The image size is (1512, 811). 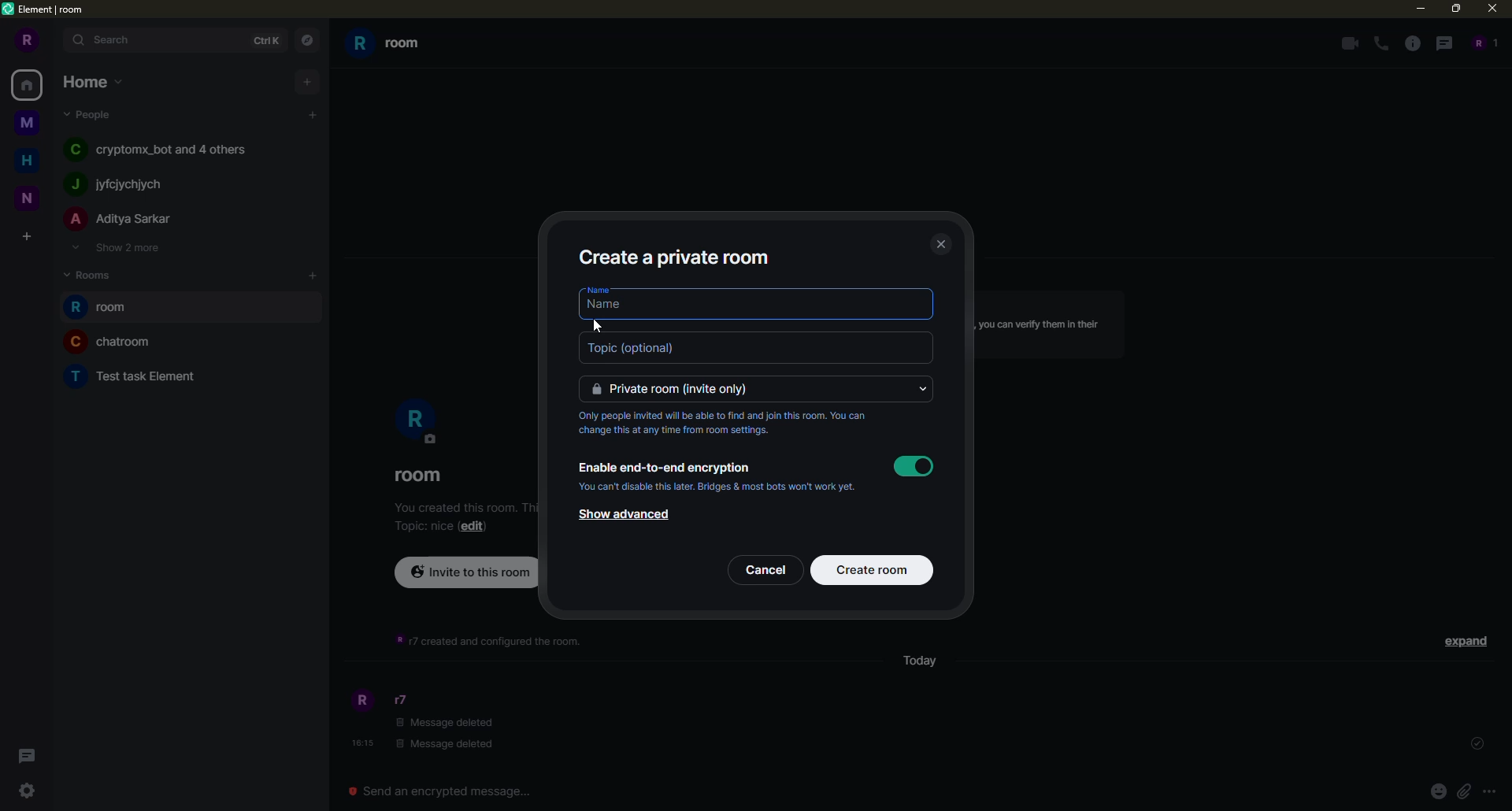 I want to click on profile, so click(x=360, y=702).